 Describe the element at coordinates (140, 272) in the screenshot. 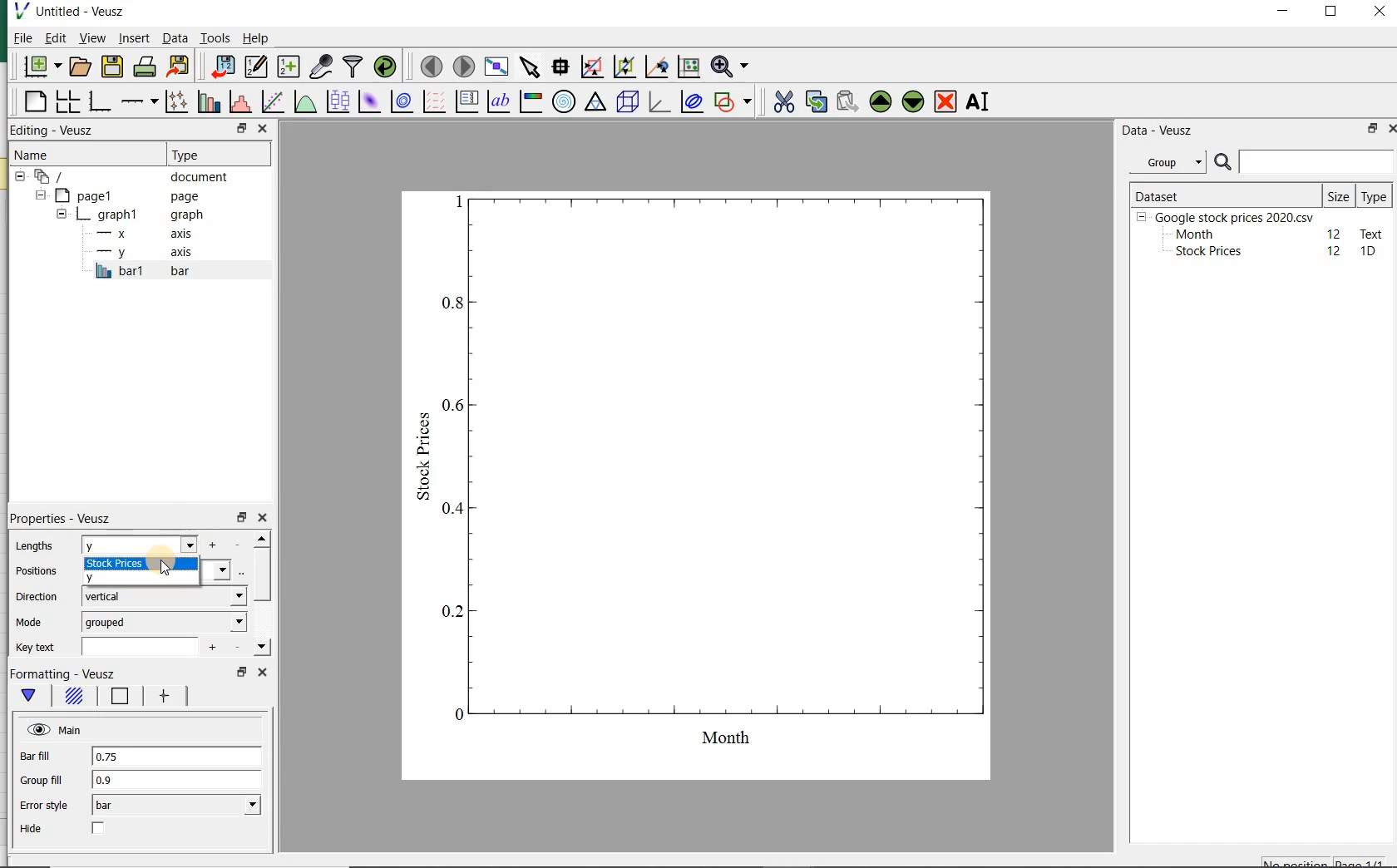

I see `bar1` at that location.